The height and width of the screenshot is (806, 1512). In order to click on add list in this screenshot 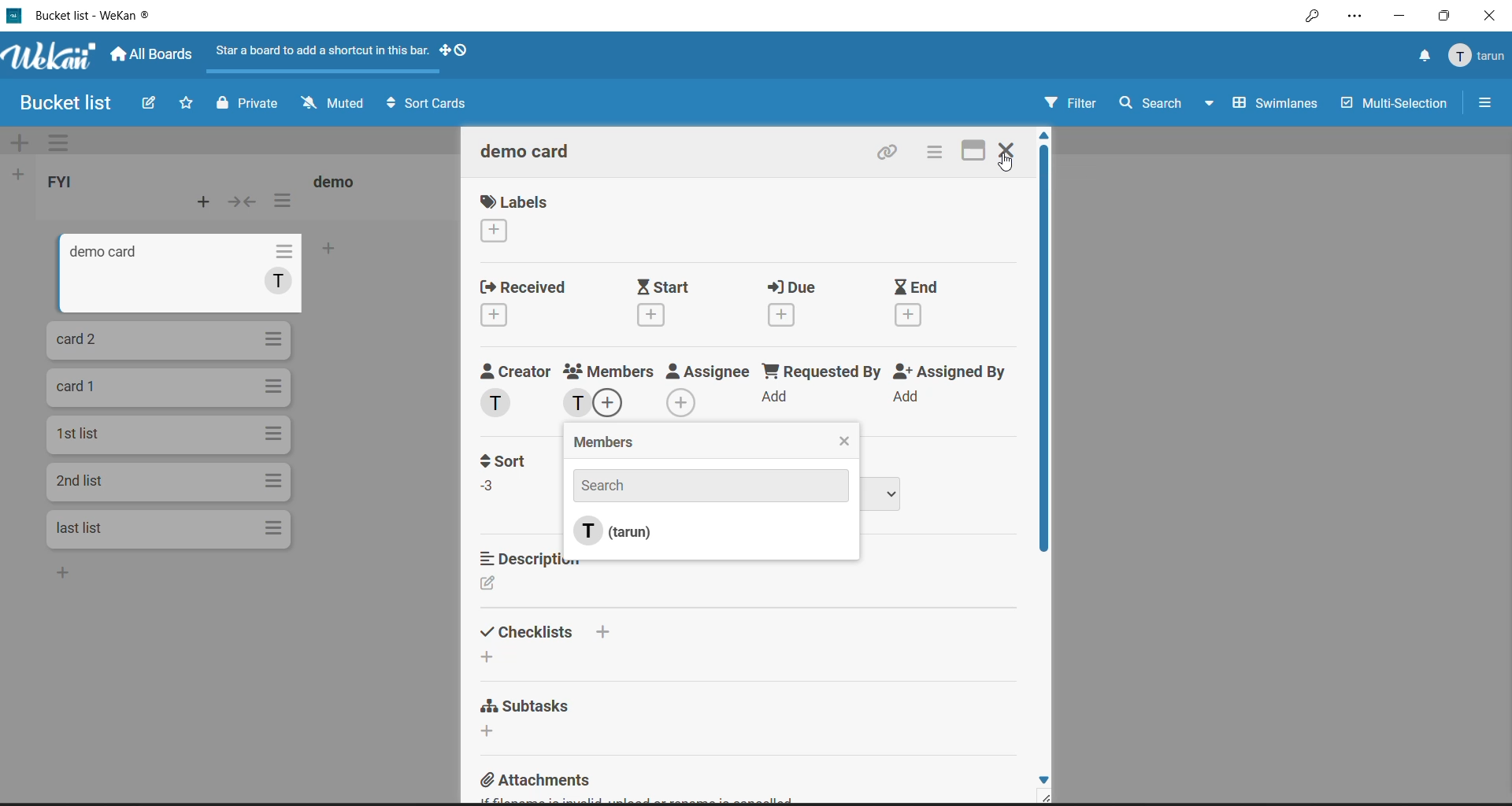, I will do `click(22, 175)`.